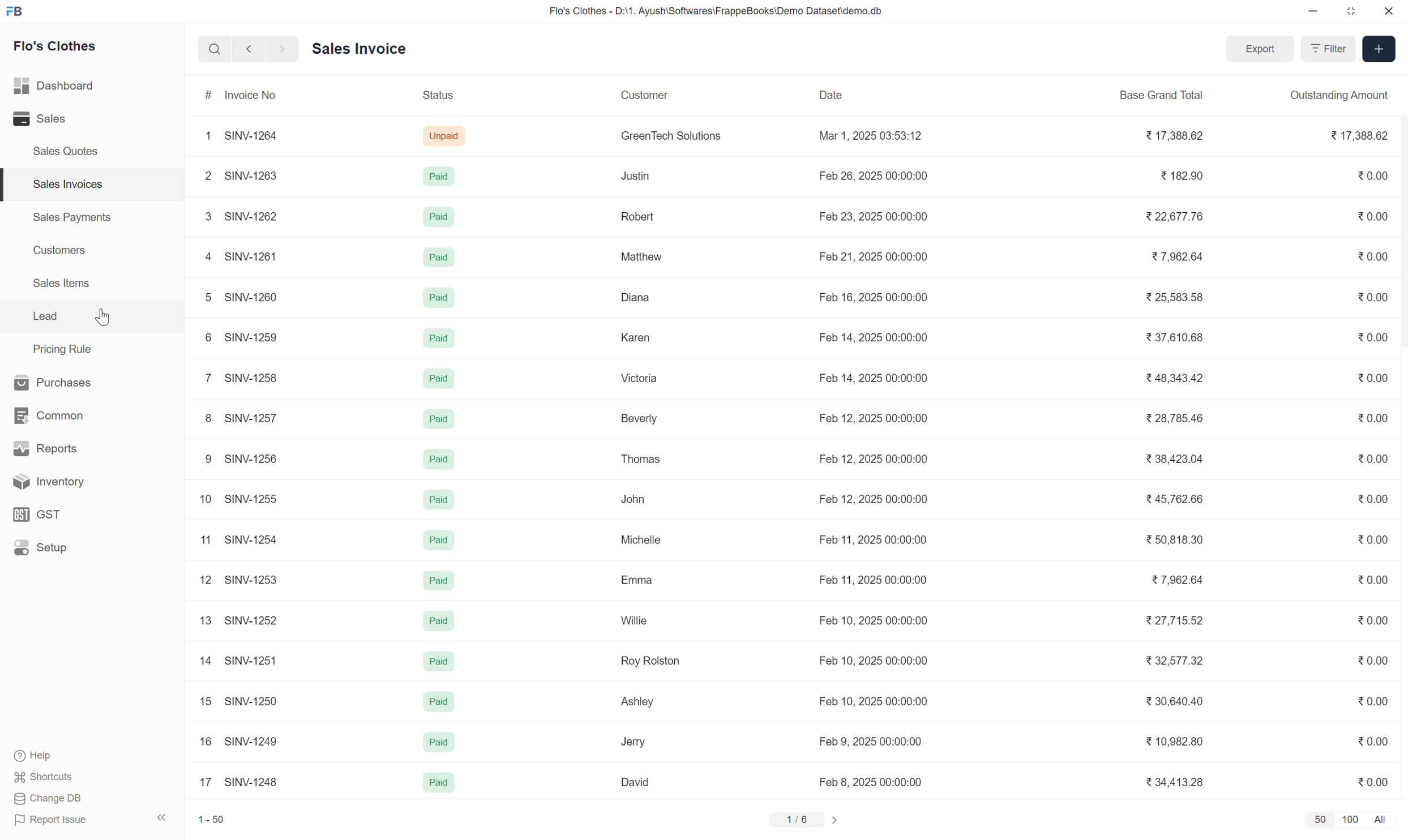 The image size is (1408, 840). I want to click on 322,677.76, so click(1178, 217).